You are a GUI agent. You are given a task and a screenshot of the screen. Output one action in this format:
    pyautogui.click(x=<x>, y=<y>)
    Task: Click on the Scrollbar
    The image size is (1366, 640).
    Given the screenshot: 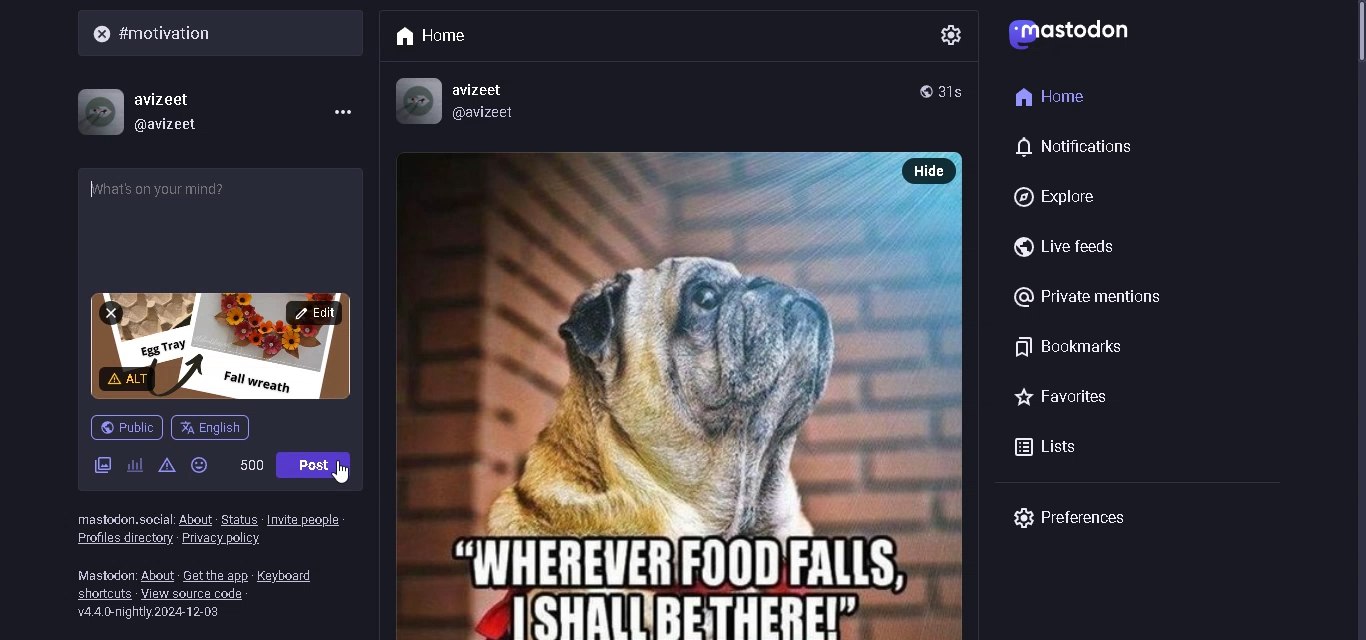 What is the action you would take?
    pyautogui.click(x=1351, y=75)
    